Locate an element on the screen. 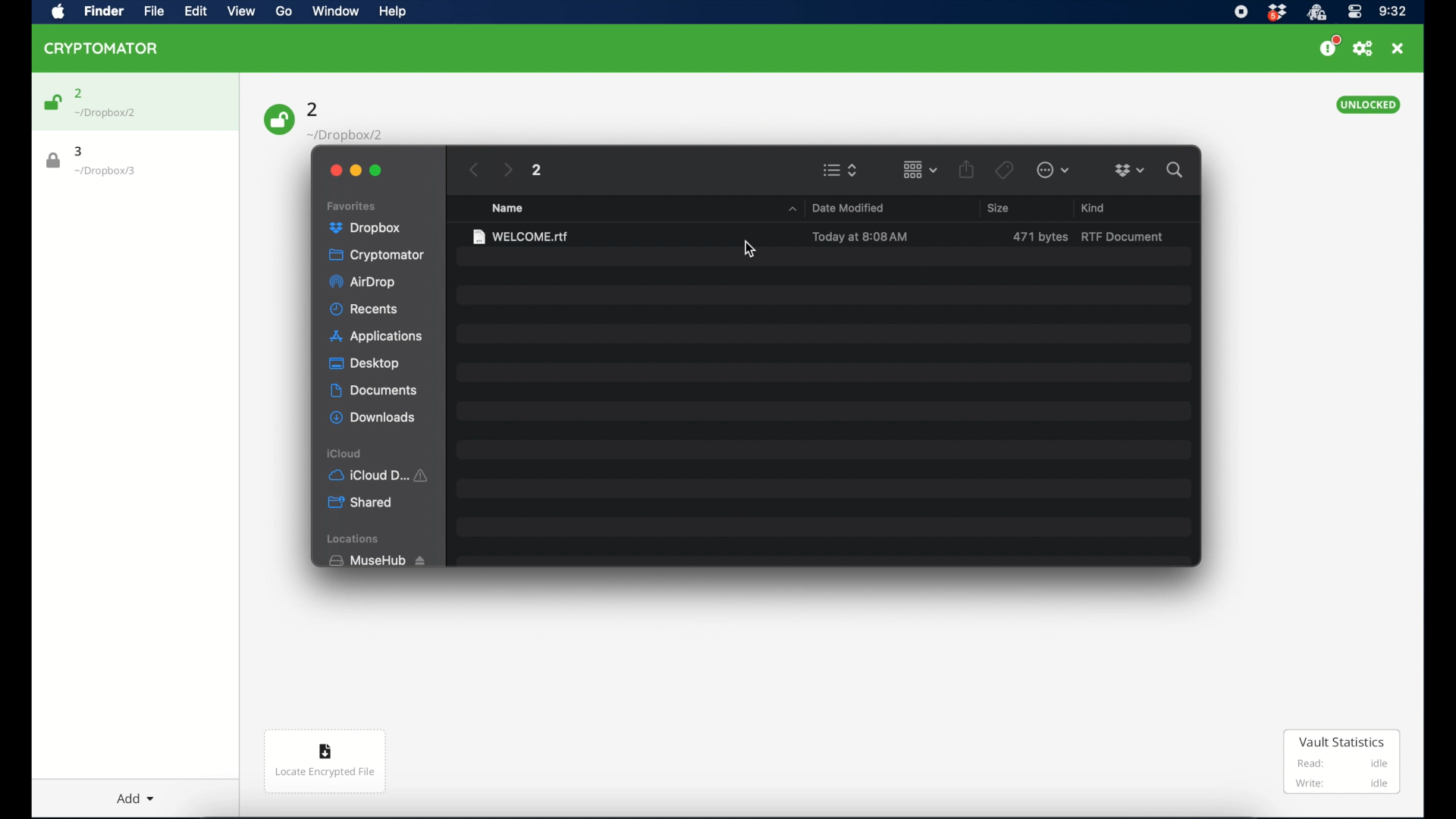 Image resolution: width=1456 pixels, height=819 pixels. view dropdown is located at coordinates (921, 170).